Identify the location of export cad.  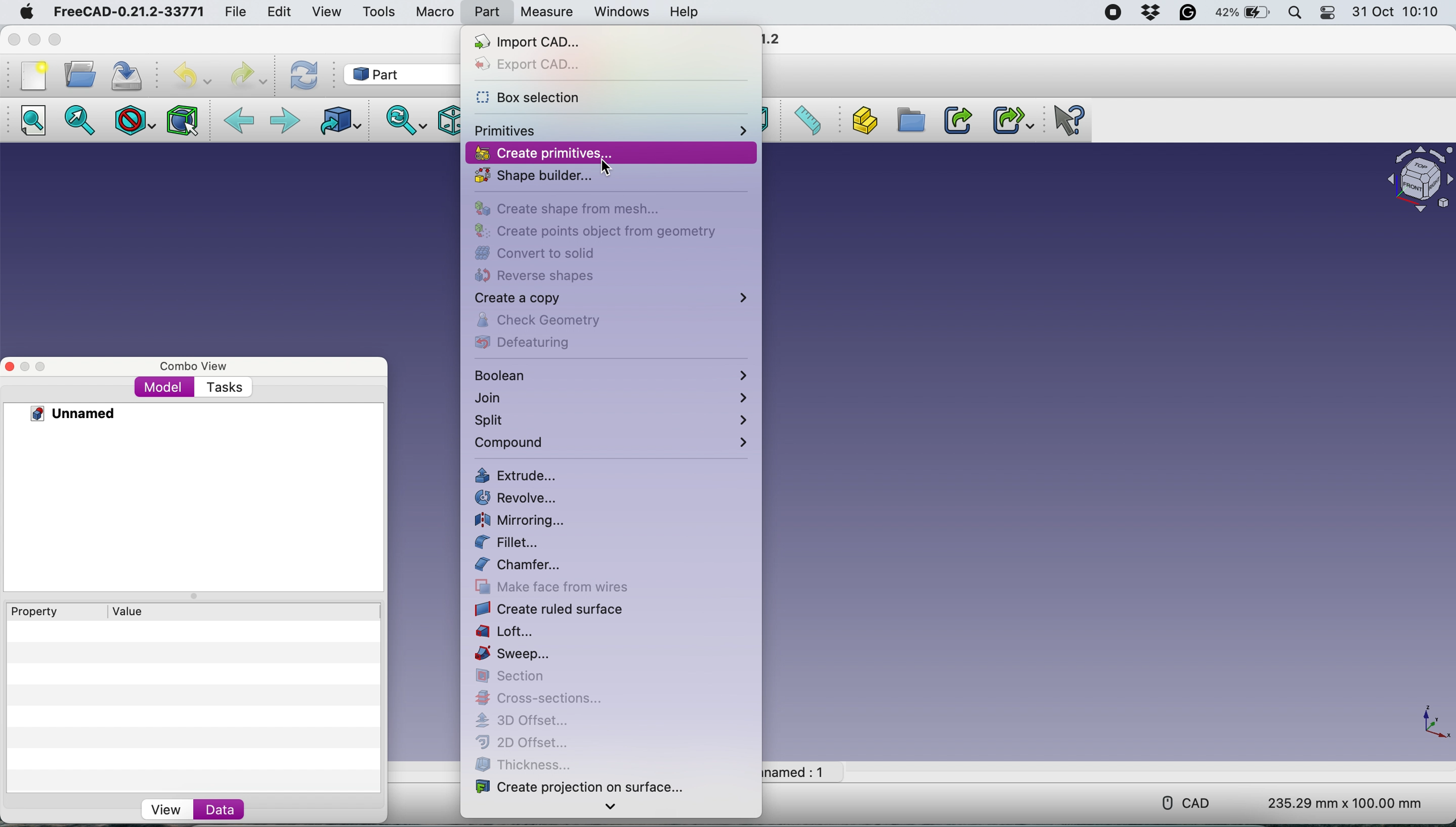
(543, 66).